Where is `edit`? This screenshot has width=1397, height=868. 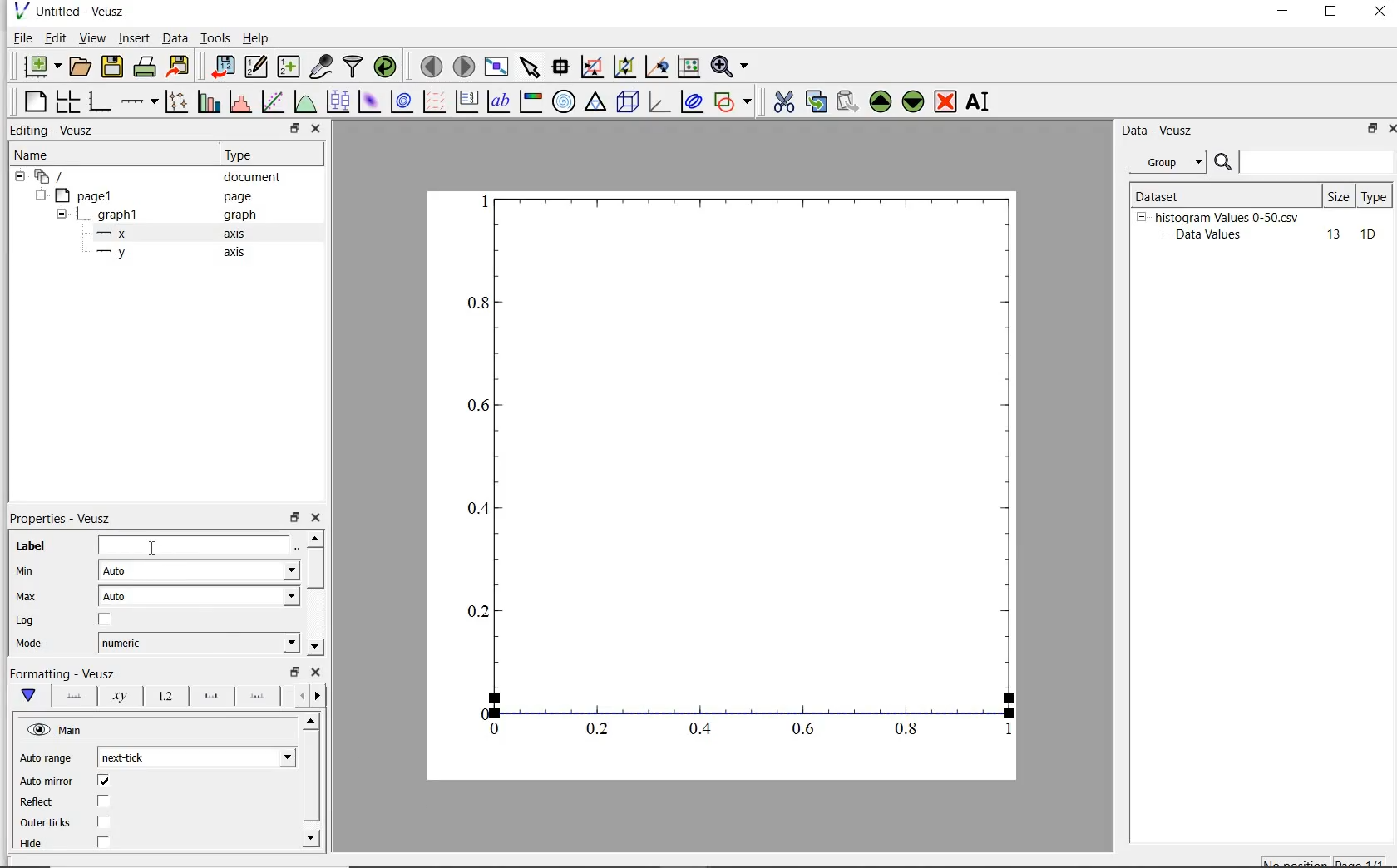
edit is located at coordinates (56, 37).